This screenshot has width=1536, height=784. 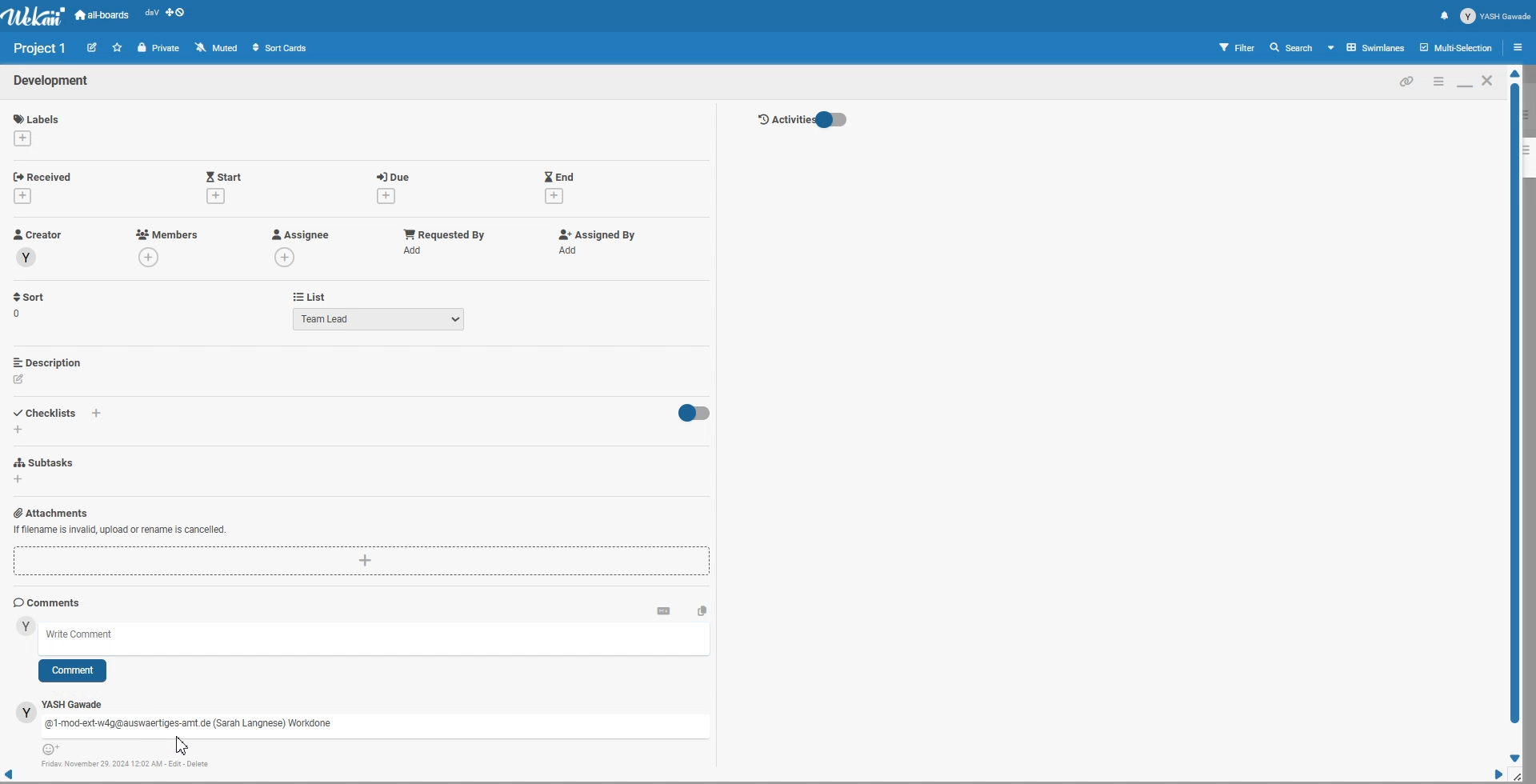 What do you see at coordinates (802, 120) in the screenshot?
I see `Activity Toggle` at bounding box center [802, 120].